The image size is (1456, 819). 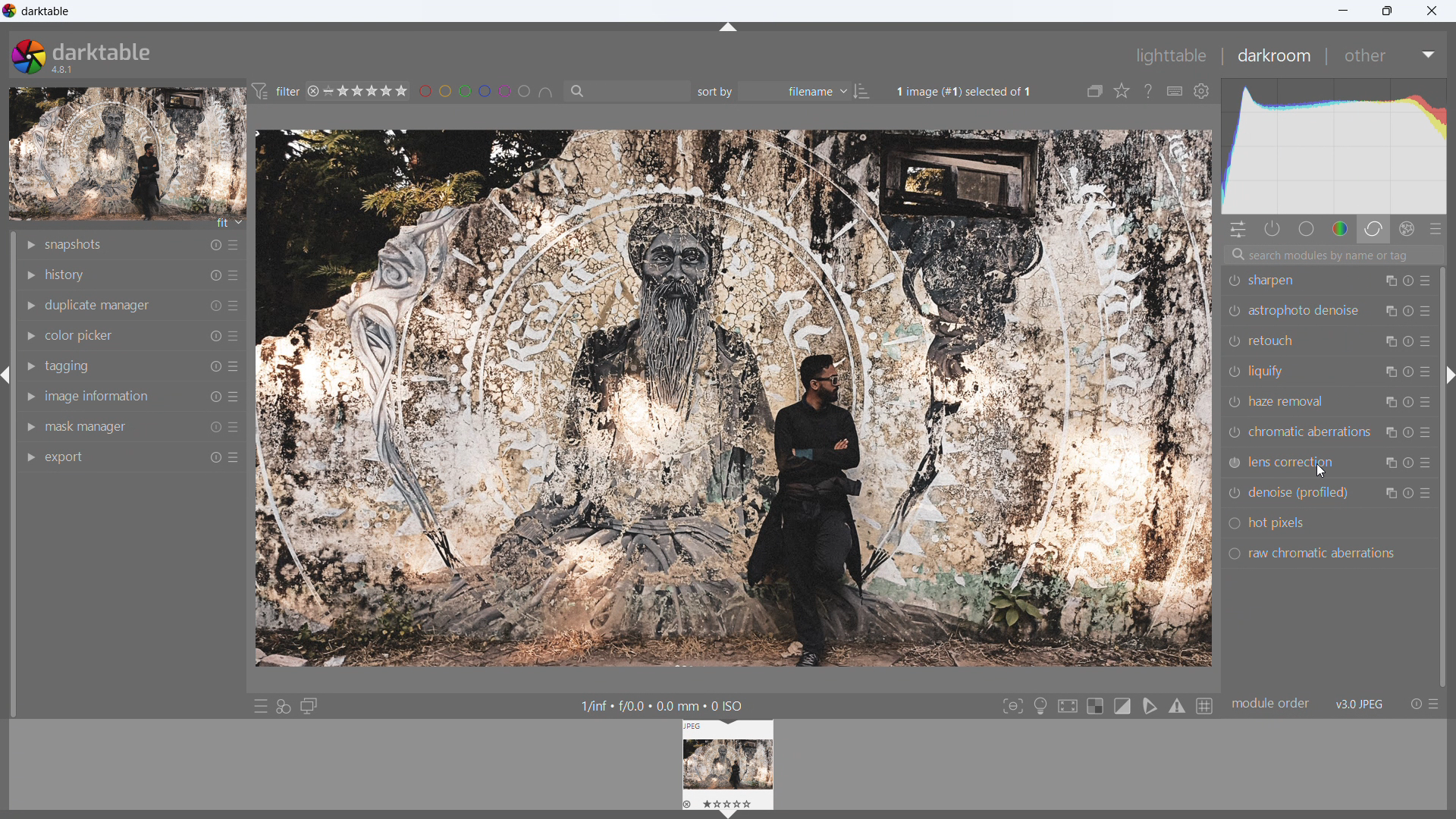 I want to click on multiple instance action, so click(x=1390, y=312).